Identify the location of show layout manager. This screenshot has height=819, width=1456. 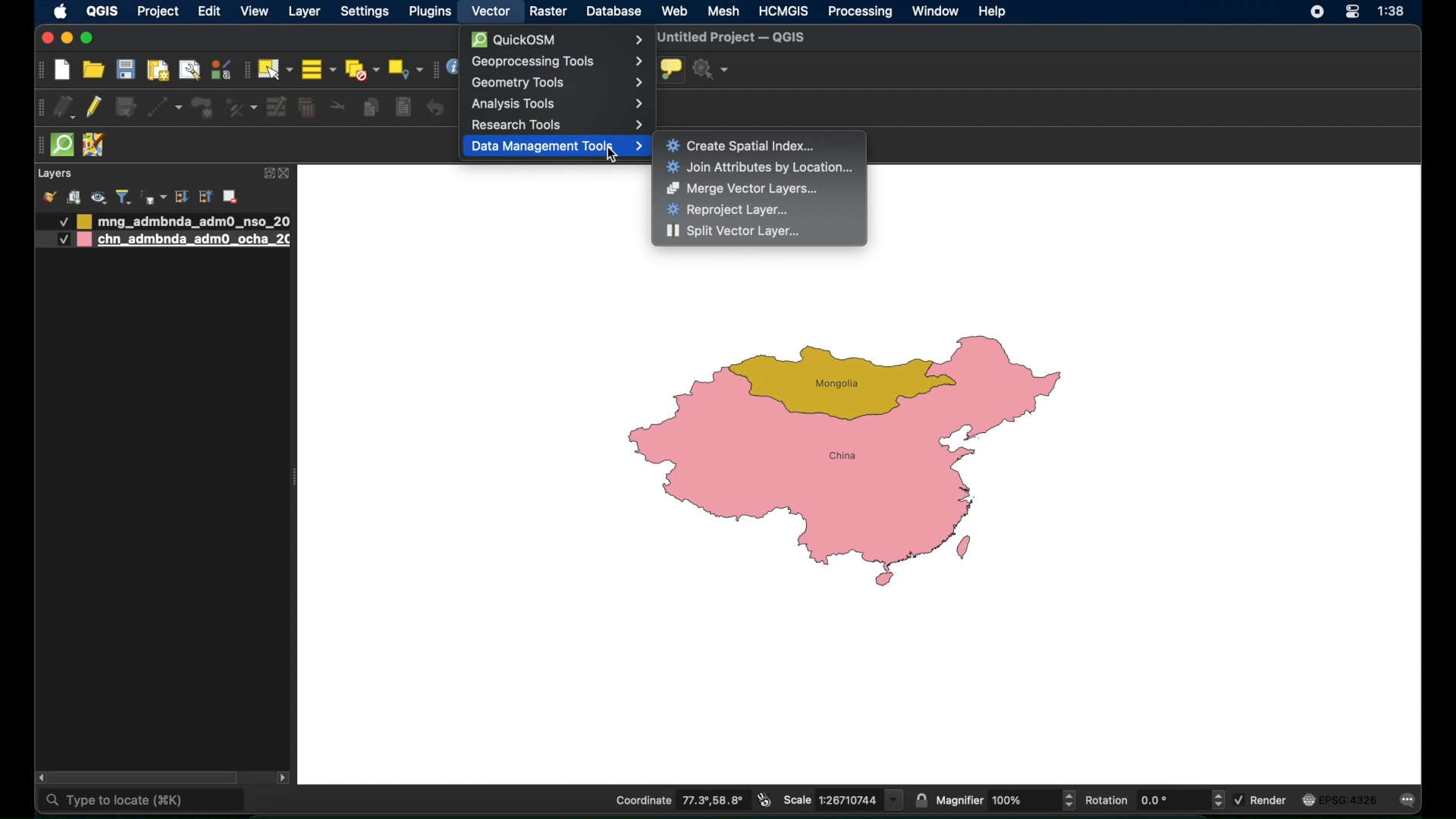
(189, 71).